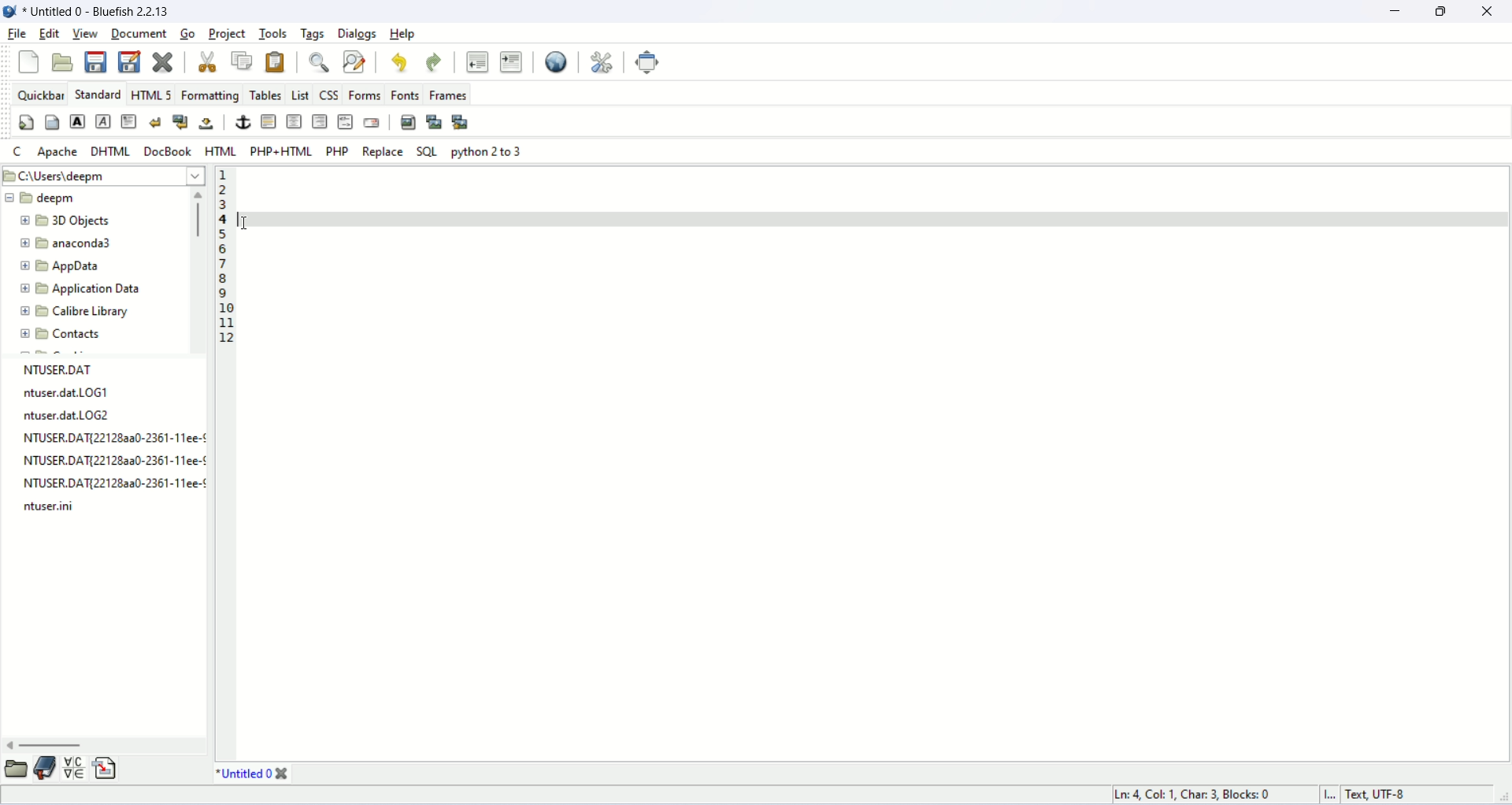 This screenshot has height=805, width=1512. I want to click on document name, so click(96, 10).